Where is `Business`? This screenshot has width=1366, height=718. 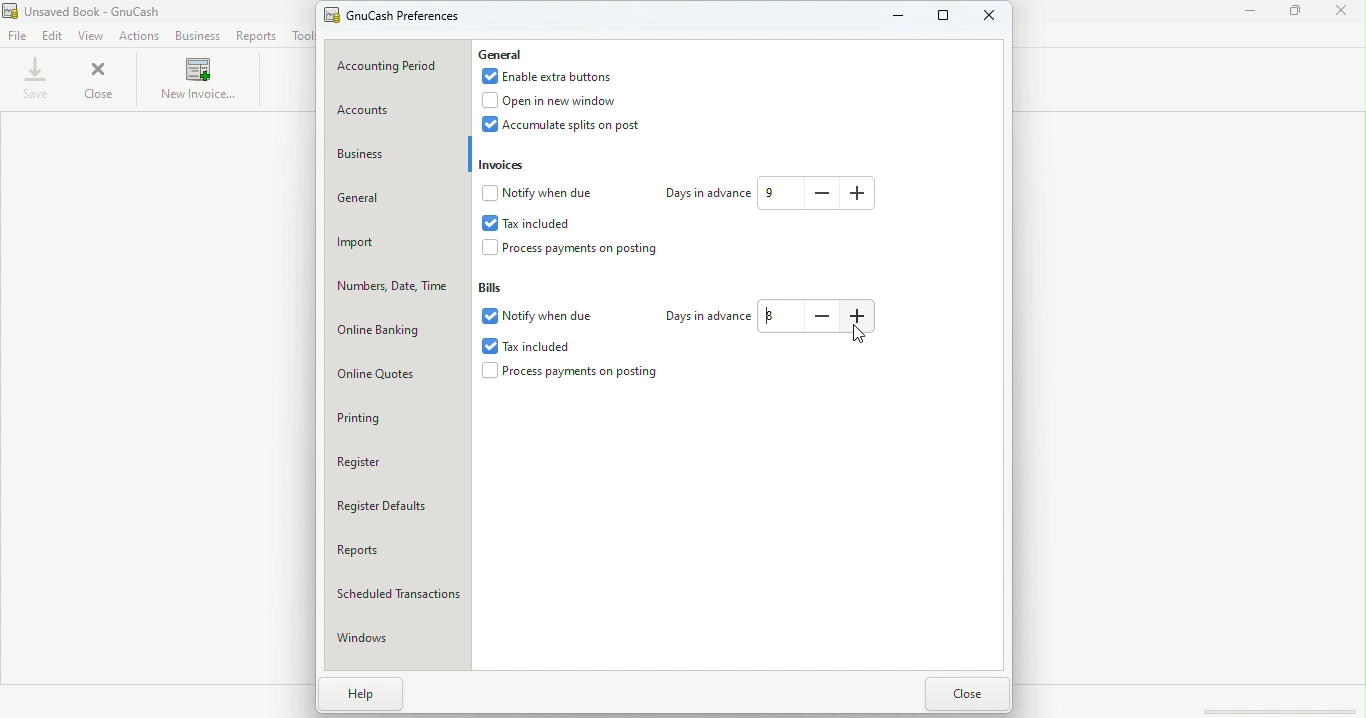
Business is located at coordinates (197, 35).